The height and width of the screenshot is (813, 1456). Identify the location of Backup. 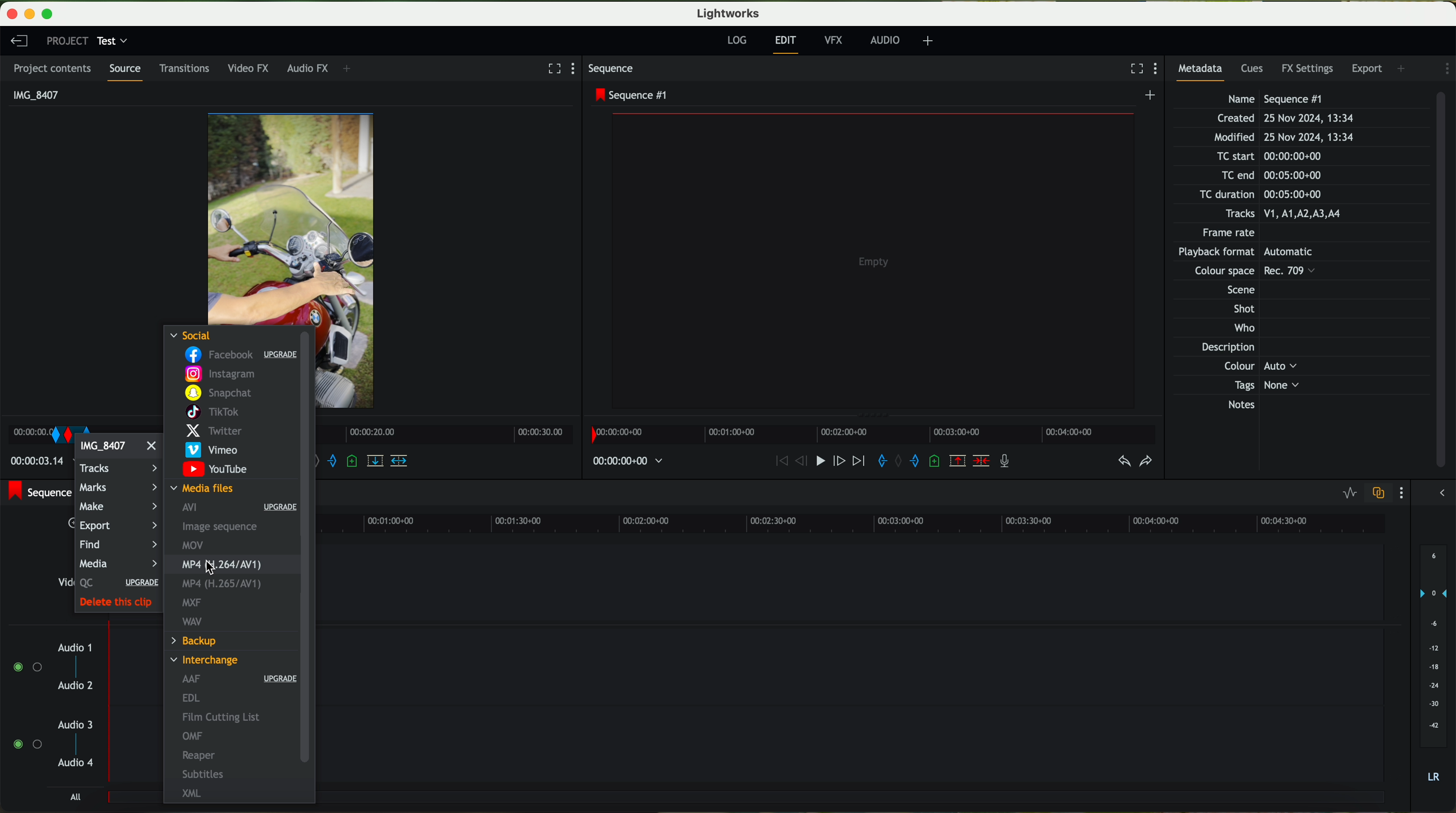
(195, 641).